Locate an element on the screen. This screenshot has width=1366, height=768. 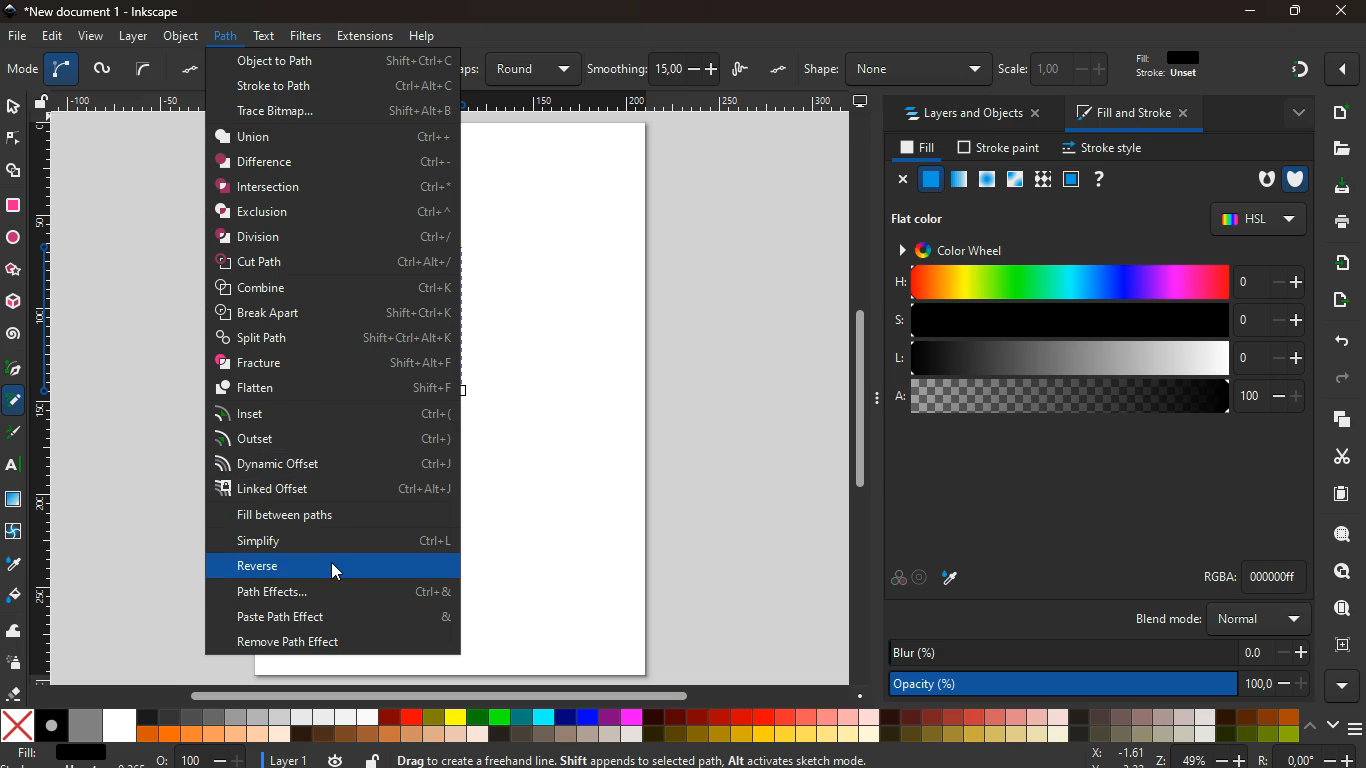
star is located at coordinates (13, 271).